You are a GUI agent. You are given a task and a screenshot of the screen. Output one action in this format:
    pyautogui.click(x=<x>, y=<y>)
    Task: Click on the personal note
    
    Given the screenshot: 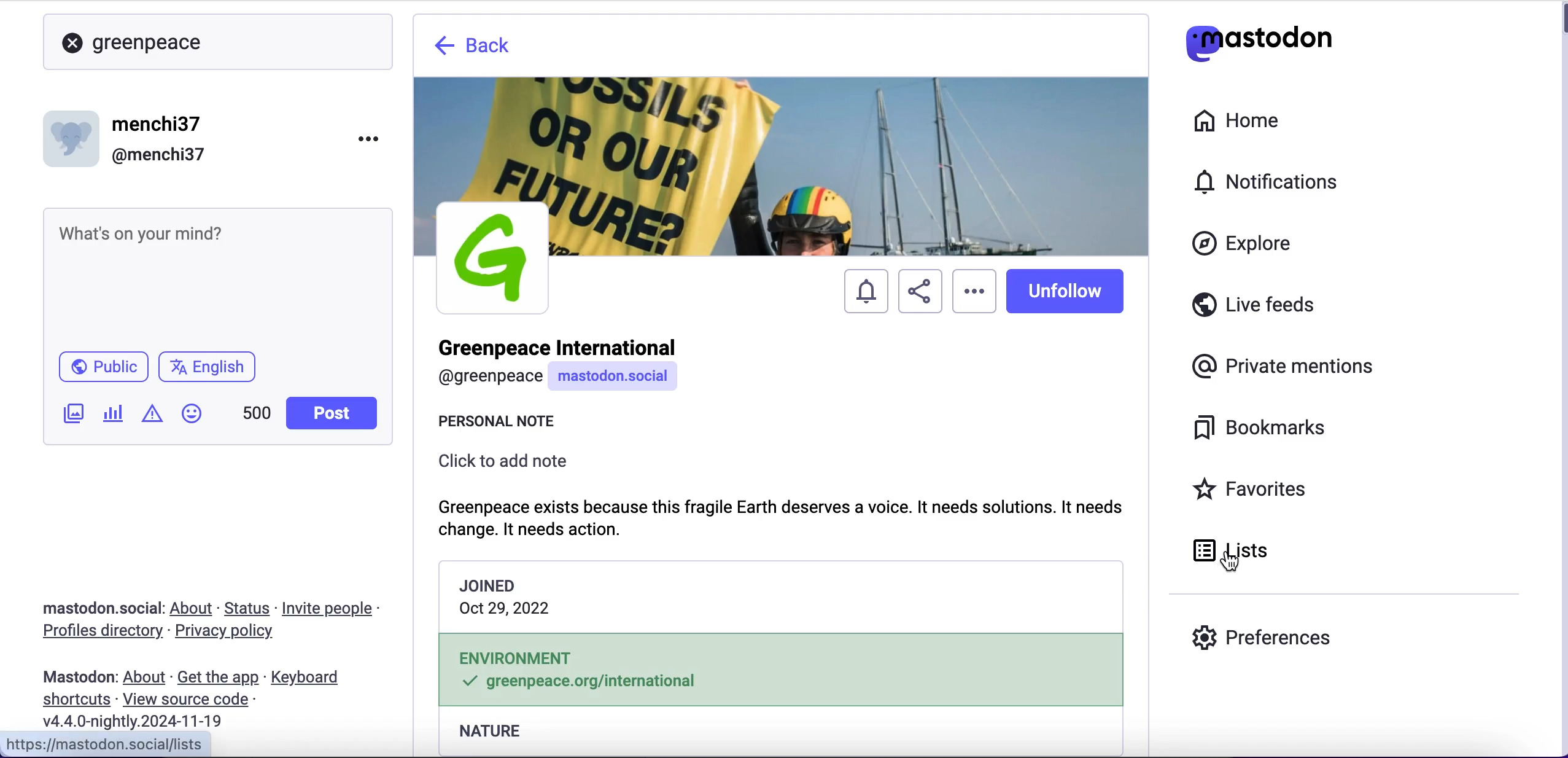 What is the action you would take?
    pyautogui.click(x=500, y=423)
    